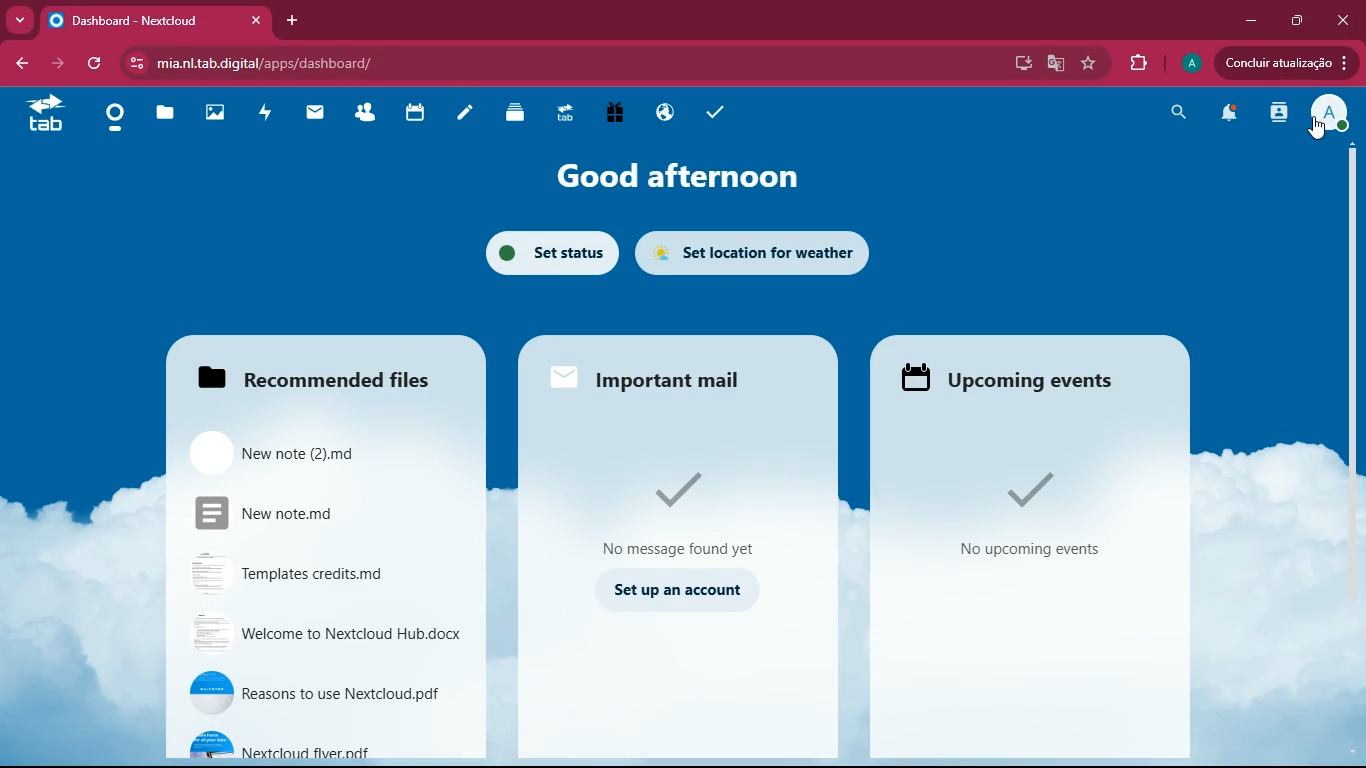 The image size is (1366, 768). I want to click on notes, so click(466, 115).